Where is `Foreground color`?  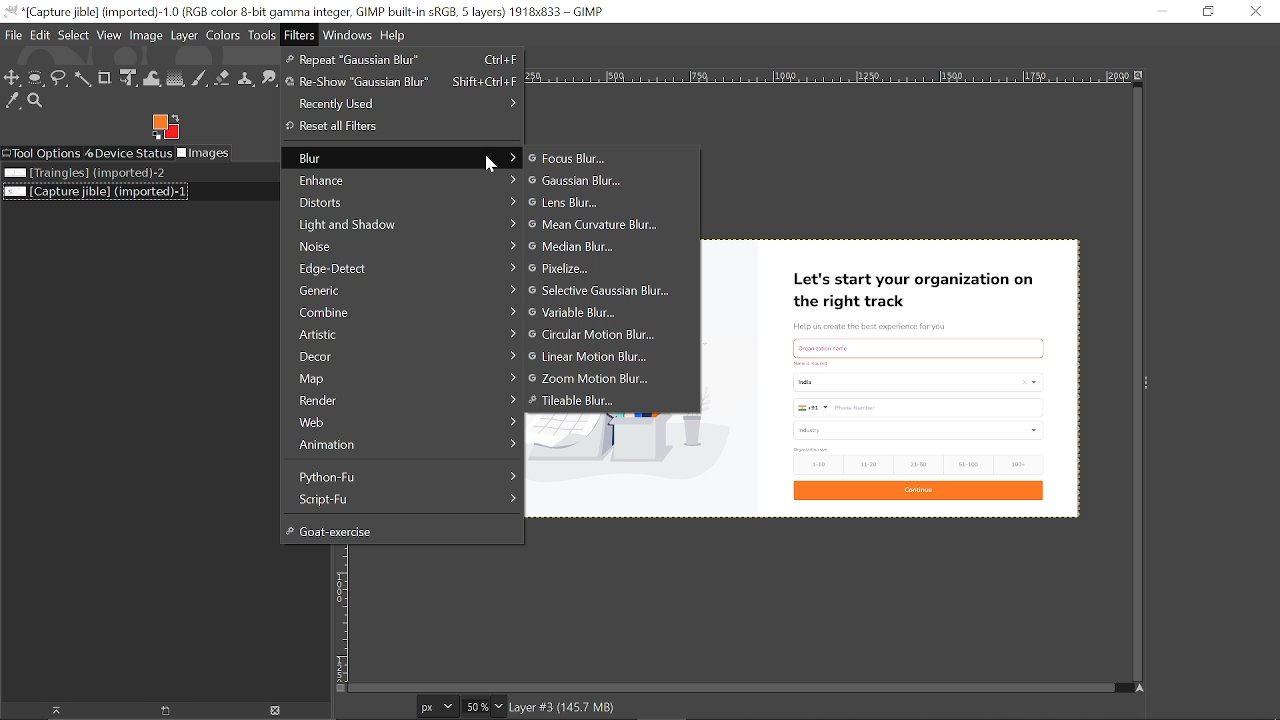 Foreground color is located at coordinates (165, 127).